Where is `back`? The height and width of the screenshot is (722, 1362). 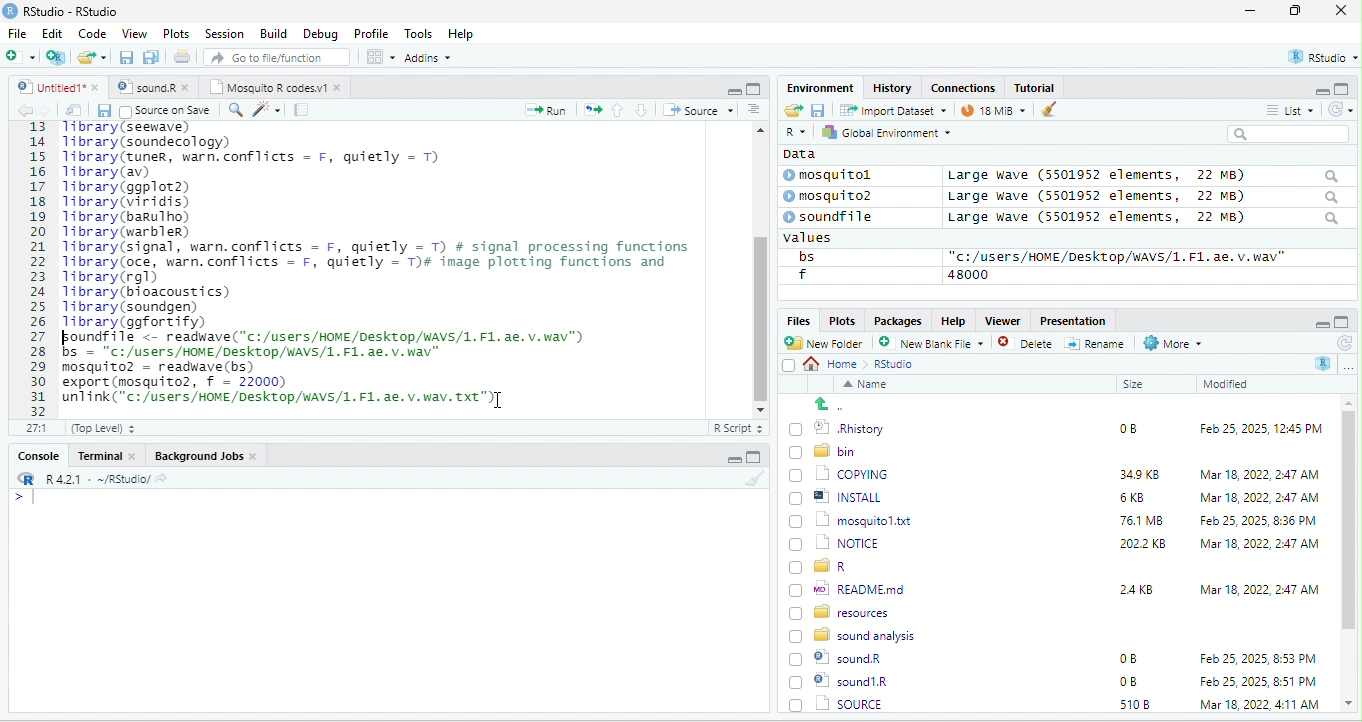 back is located at coordinates (28, 111).